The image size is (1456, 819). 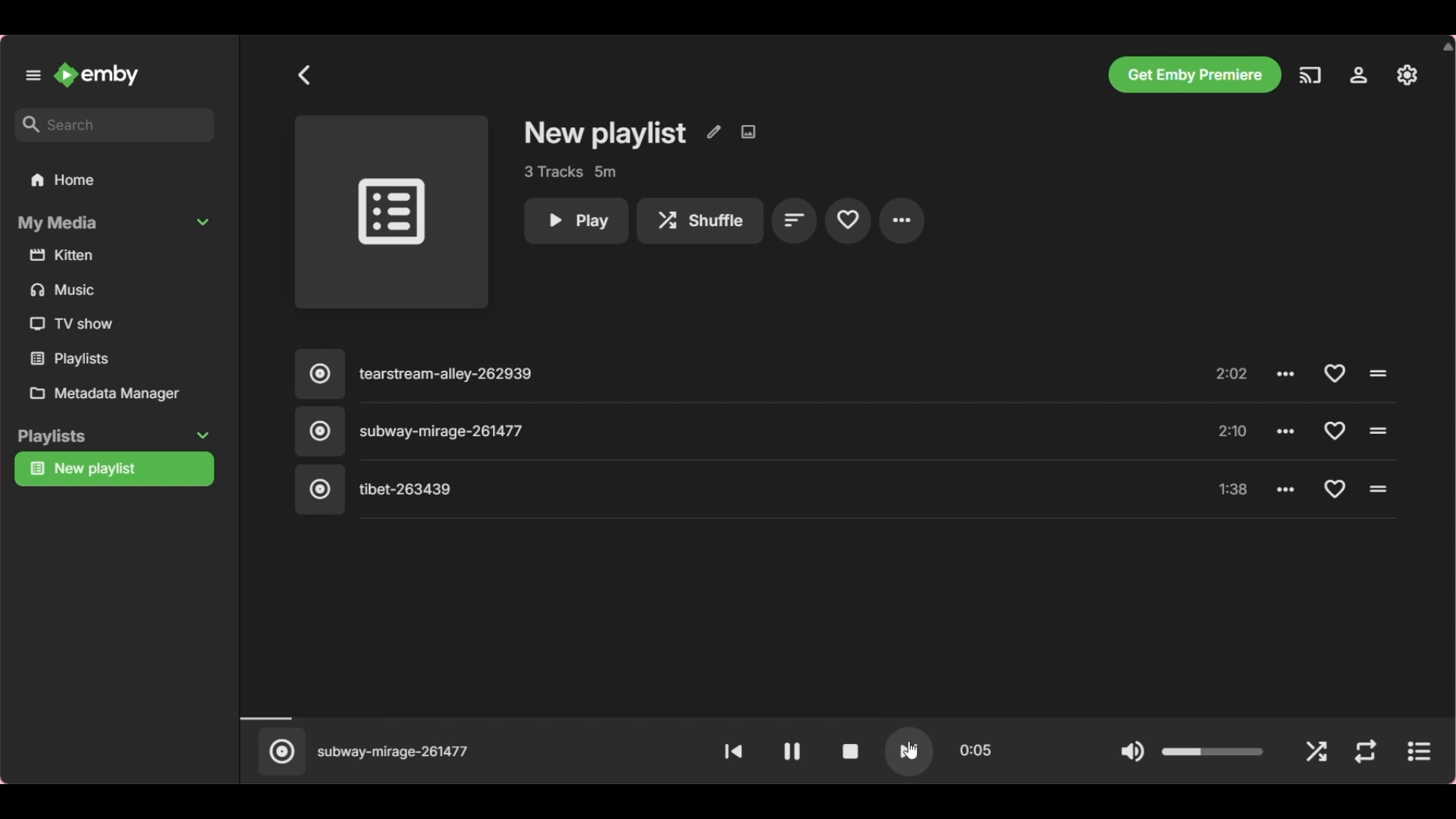 What do you see at coordinates (1408, 74) in the screenshot?
I see `Settings` at bounding box center [1408, 74].